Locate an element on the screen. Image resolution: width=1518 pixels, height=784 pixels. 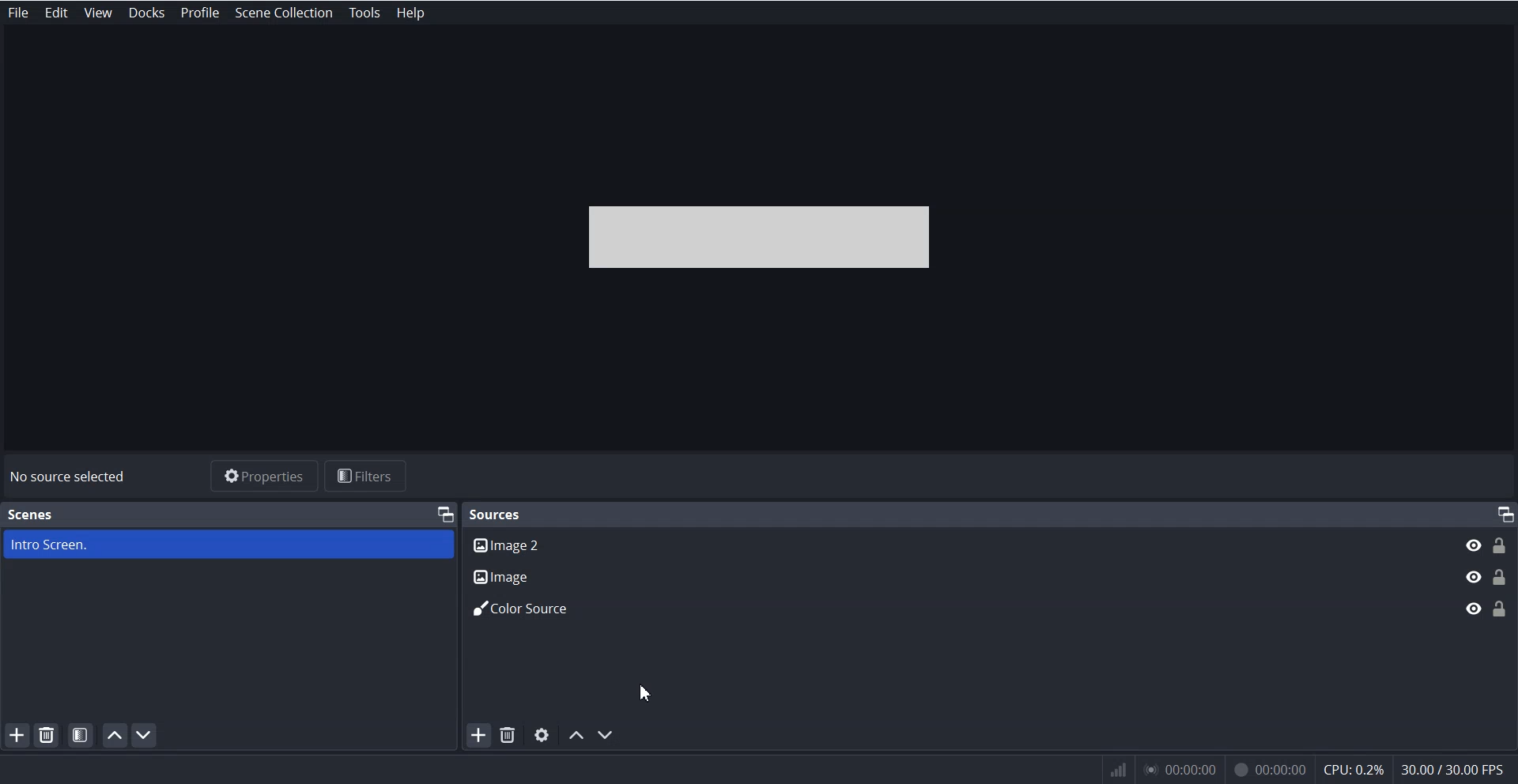
Scenes is located at coordinates (30, 514).